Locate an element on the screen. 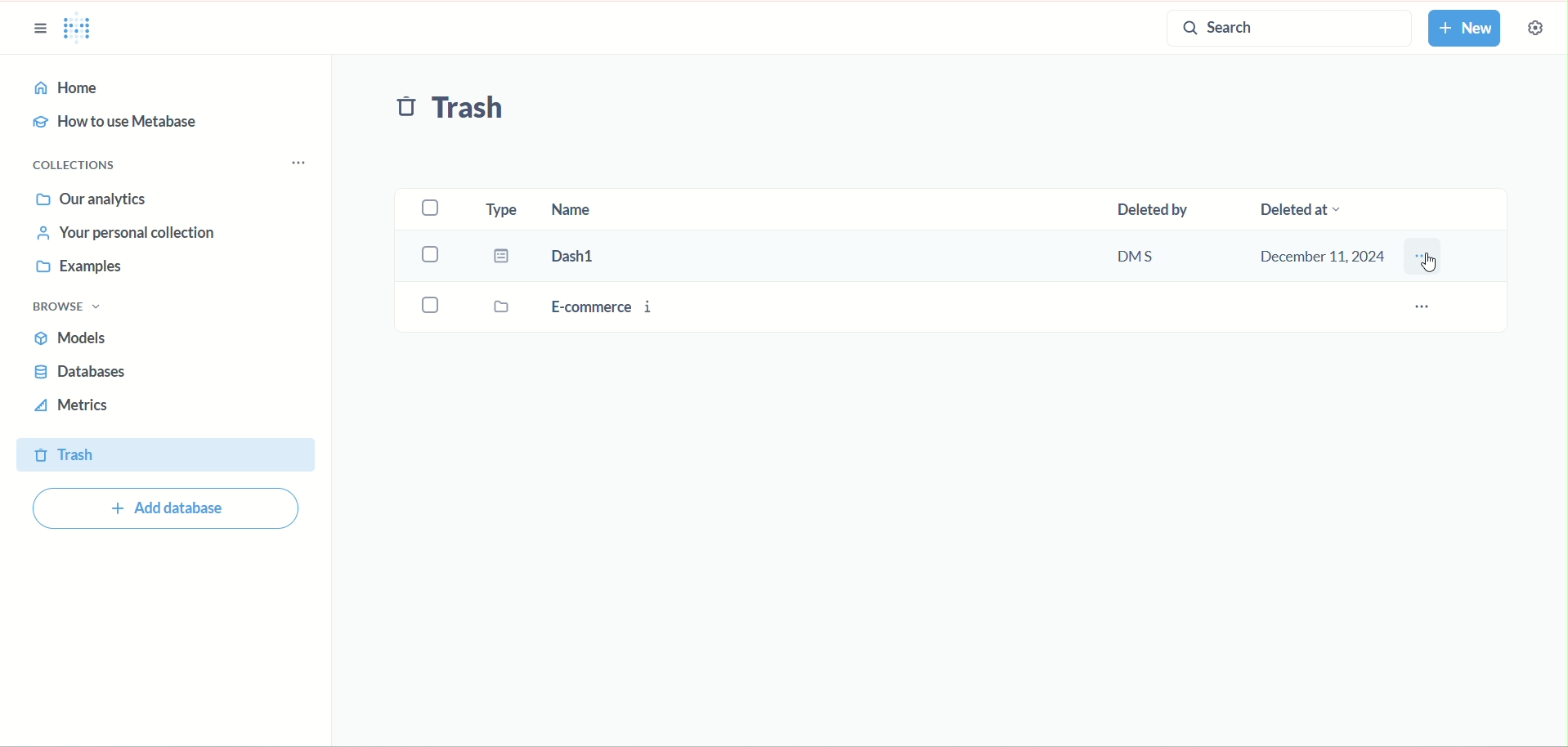 This screenshot has height=747, width=1568. deleted by is located at coordinates (1162, 208).